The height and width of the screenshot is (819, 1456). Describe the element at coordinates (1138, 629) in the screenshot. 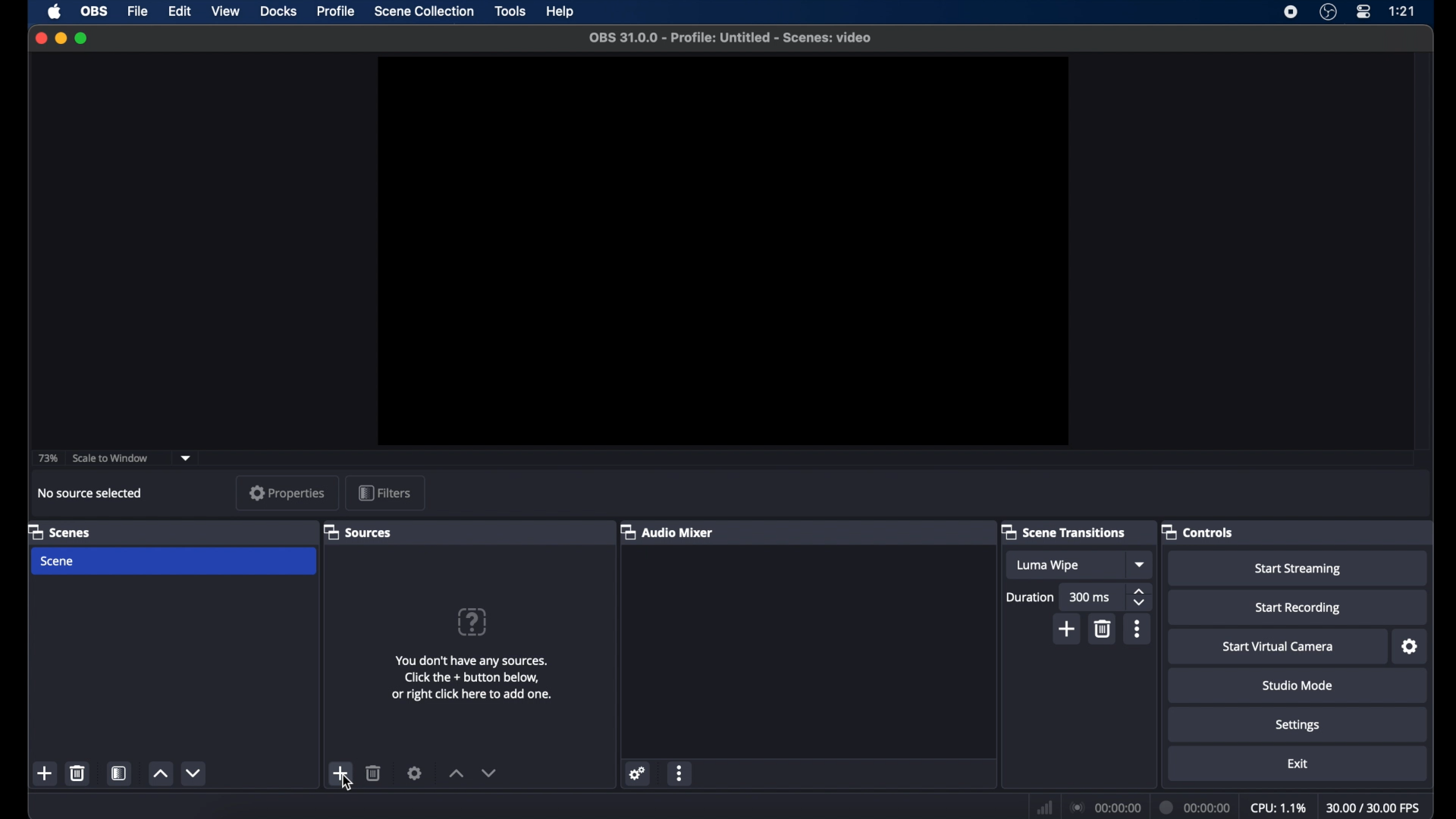

I see `more options` at that location.